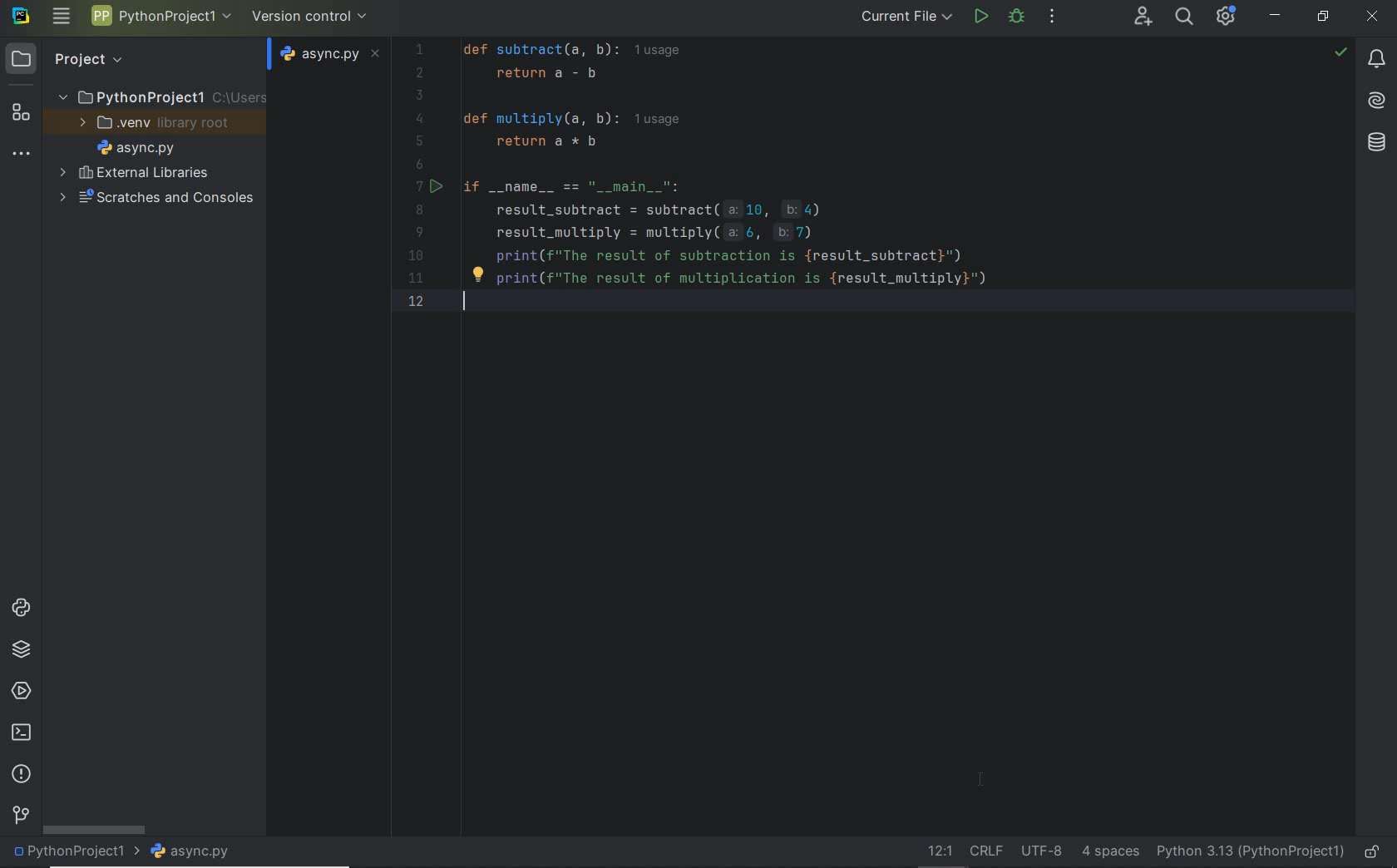 The image size is (1397, 868). Describe the element at coordinates (909, 18) in the screenshot. I see `current file` at that location.